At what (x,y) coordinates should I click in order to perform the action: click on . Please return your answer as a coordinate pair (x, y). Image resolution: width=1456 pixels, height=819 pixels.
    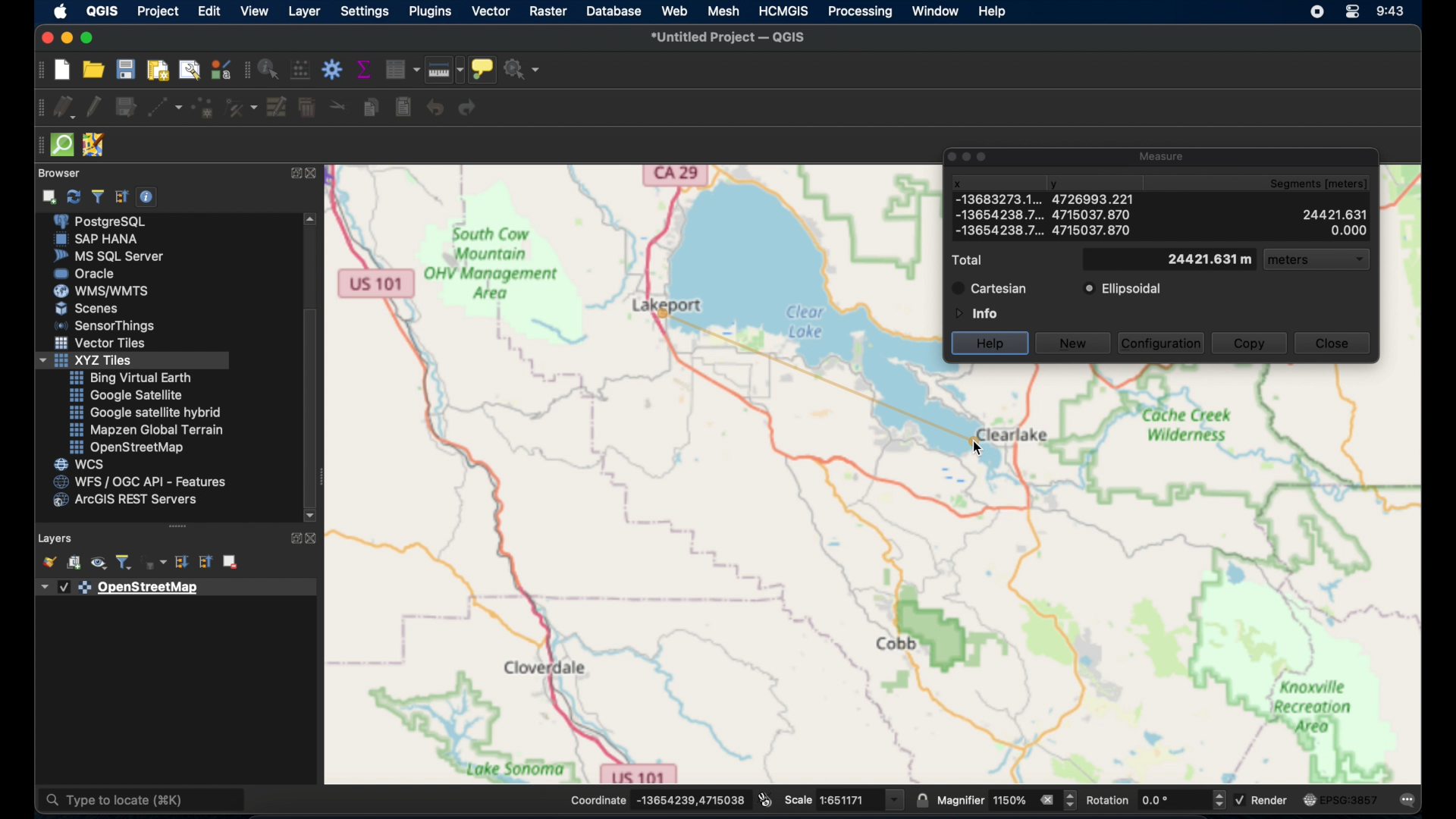
    Looking at the image, I should click on (102, 345).